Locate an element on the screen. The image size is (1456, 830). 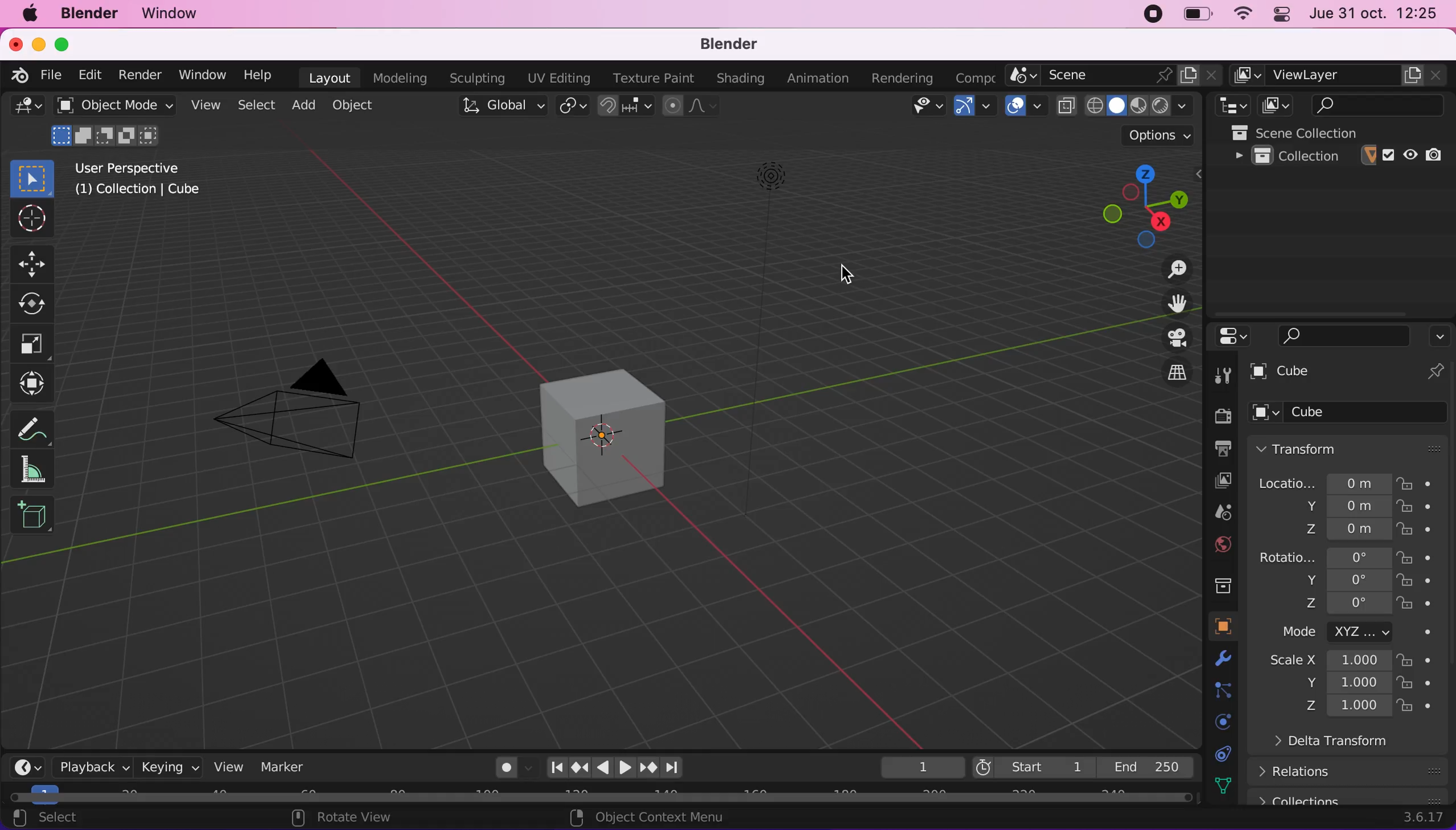
mode xyz... is located at coordinates (1351, 632).